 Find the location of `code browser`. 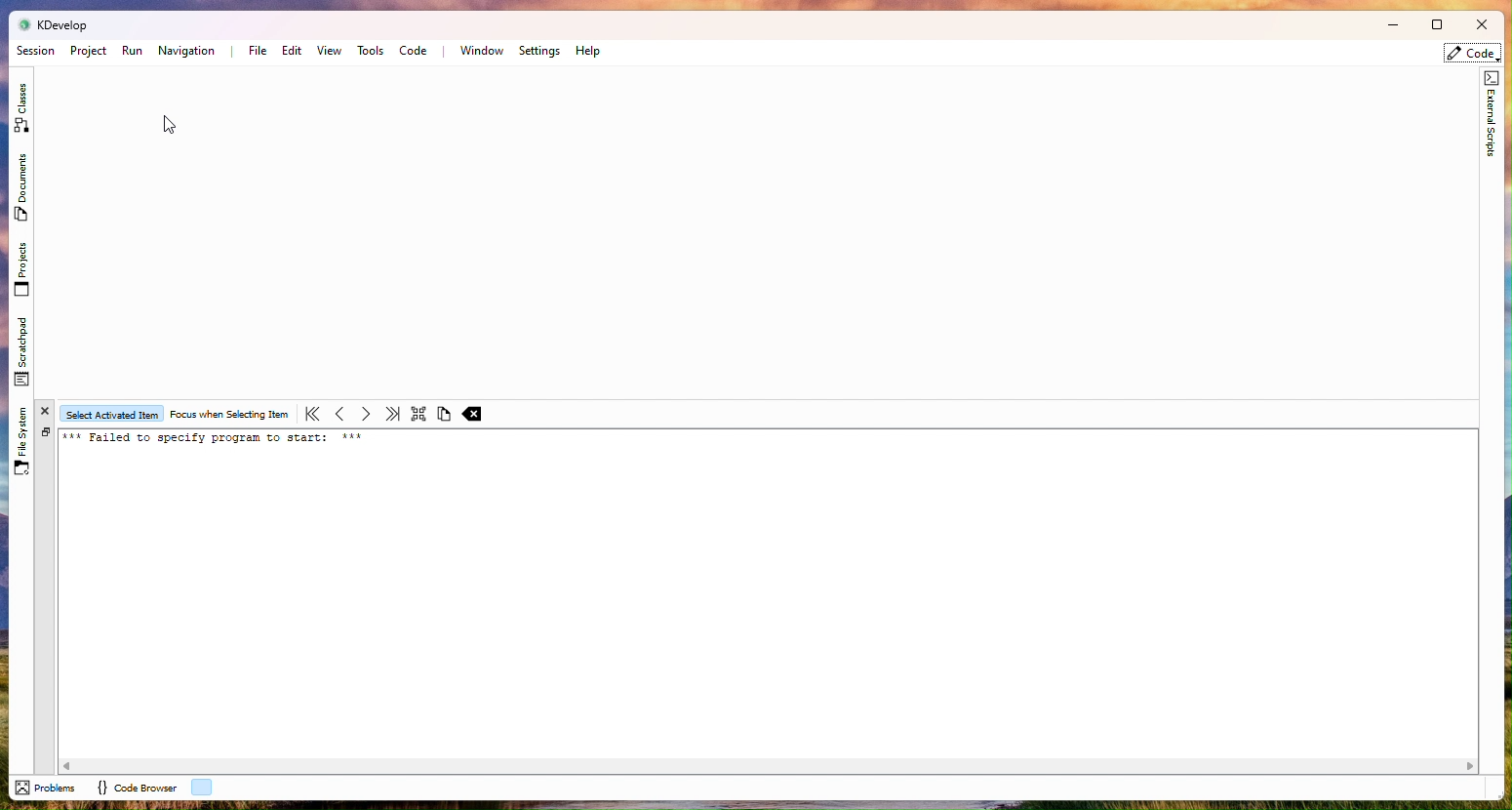

code browser is located at coordinates (135, 788).